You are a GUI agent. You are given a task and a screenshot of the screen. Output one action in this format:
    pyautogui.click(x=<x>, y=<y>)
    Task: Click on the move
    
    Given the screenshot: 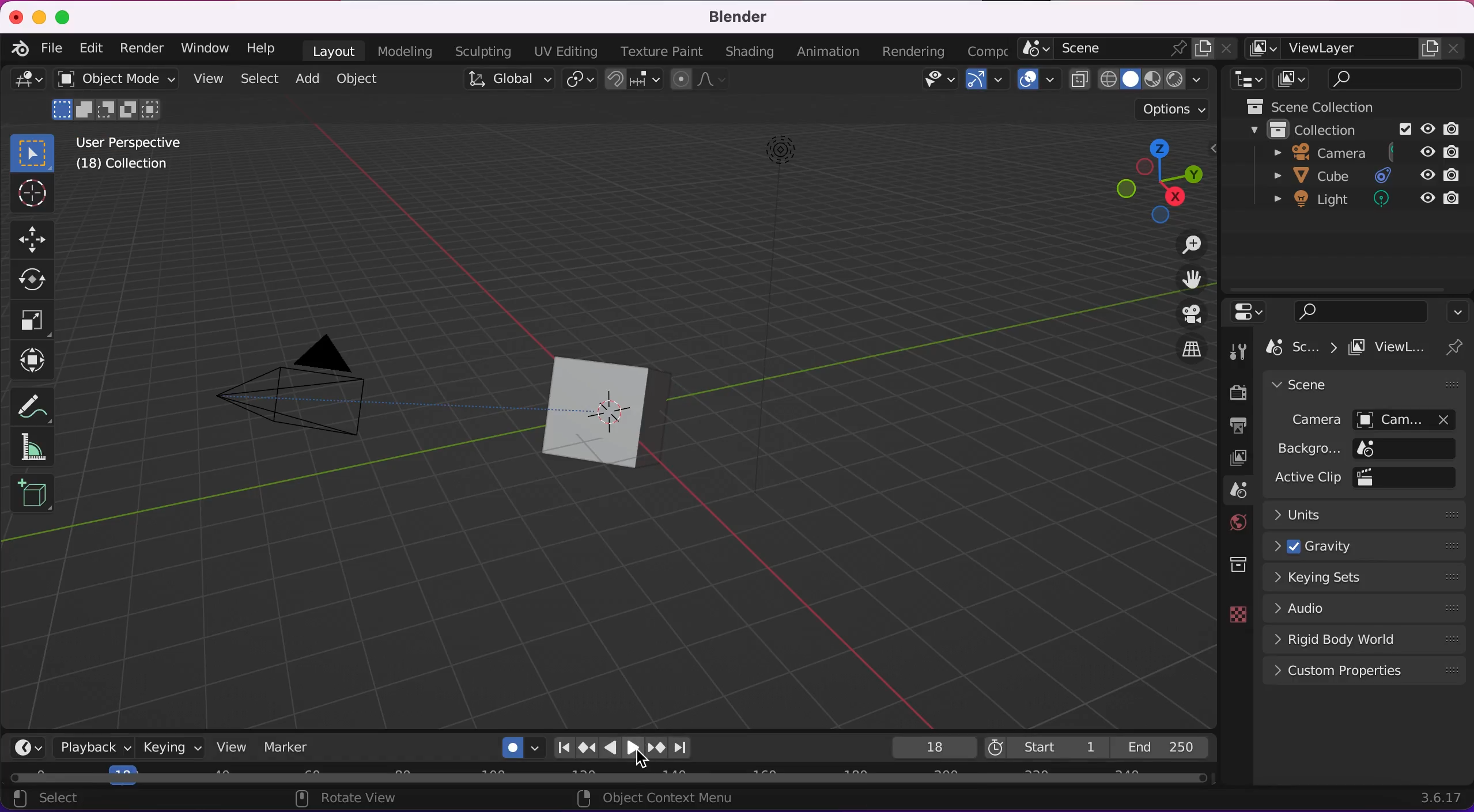 What is the action you would take?
    pyautogui.click(x=34, y=240)
    